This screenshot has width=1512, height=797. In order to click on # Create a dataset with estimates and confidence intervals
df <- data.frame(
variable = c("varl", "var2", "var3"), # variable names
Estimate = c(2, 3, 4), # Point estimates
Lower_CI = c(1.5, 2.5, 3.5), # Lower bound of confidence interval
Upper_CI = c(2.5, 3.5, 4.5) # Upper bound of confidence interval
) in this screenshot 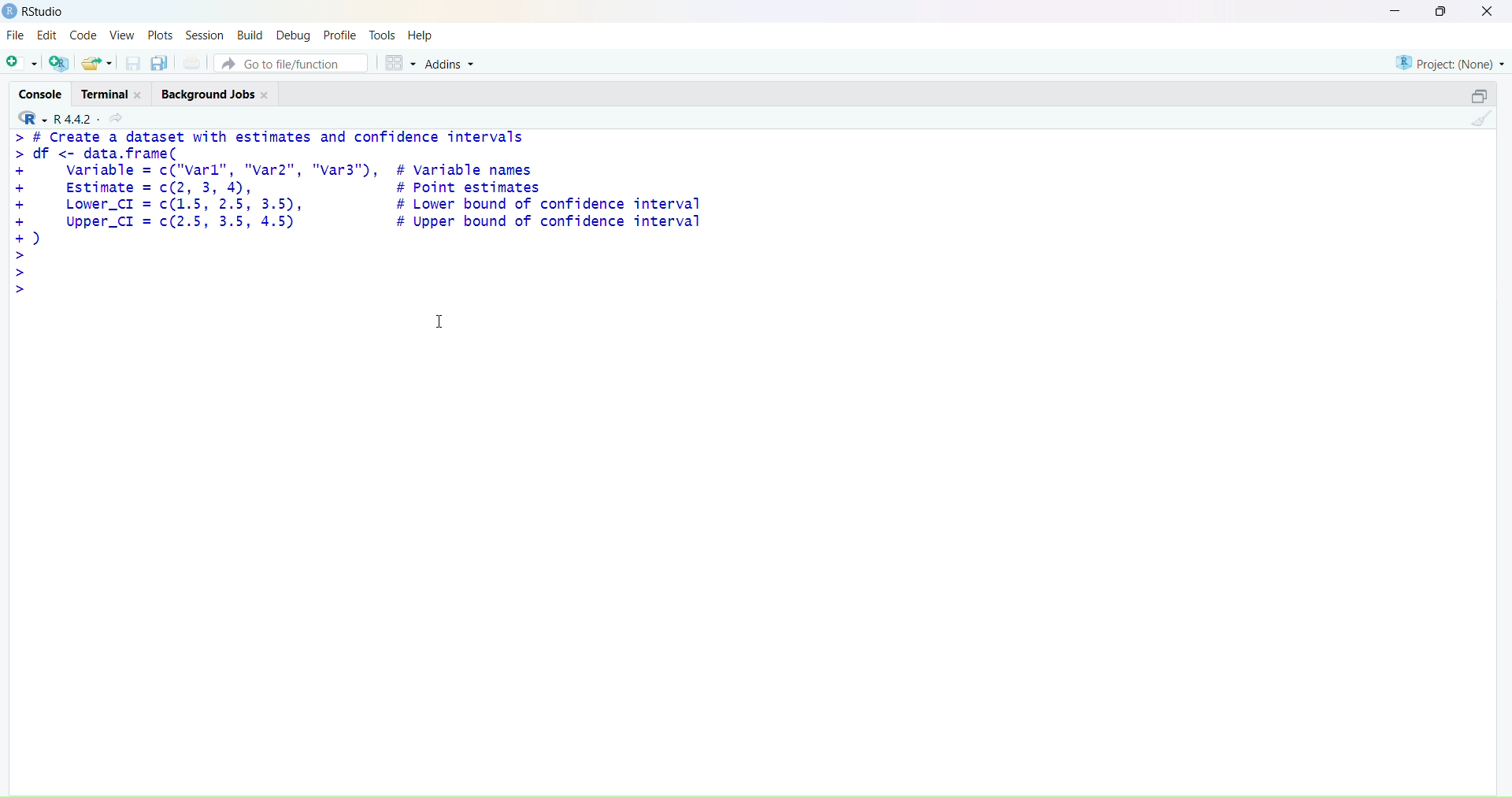, I will do `click(367, 215)`.